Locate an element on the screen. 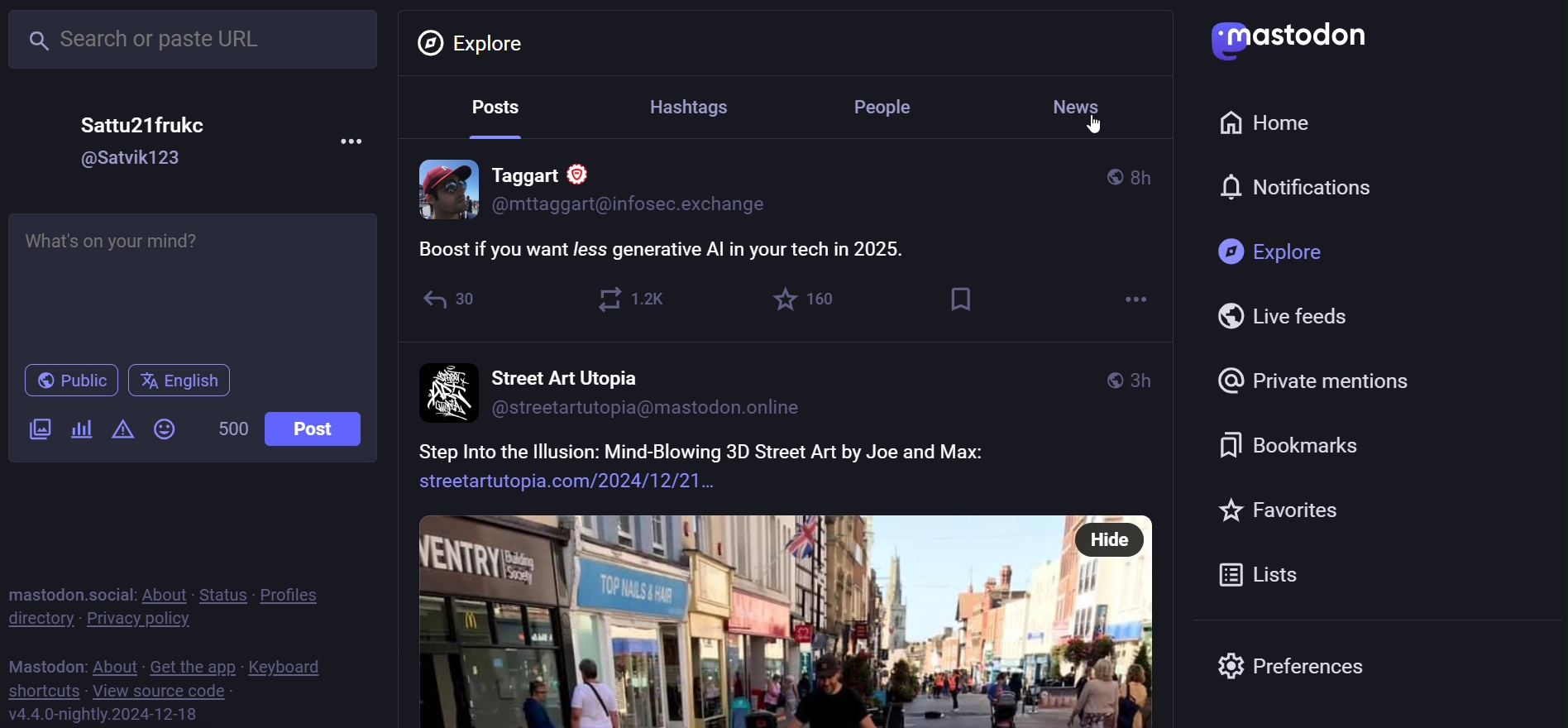 The image size is (1568, 728). content warning is located at coordinates (122, 429).